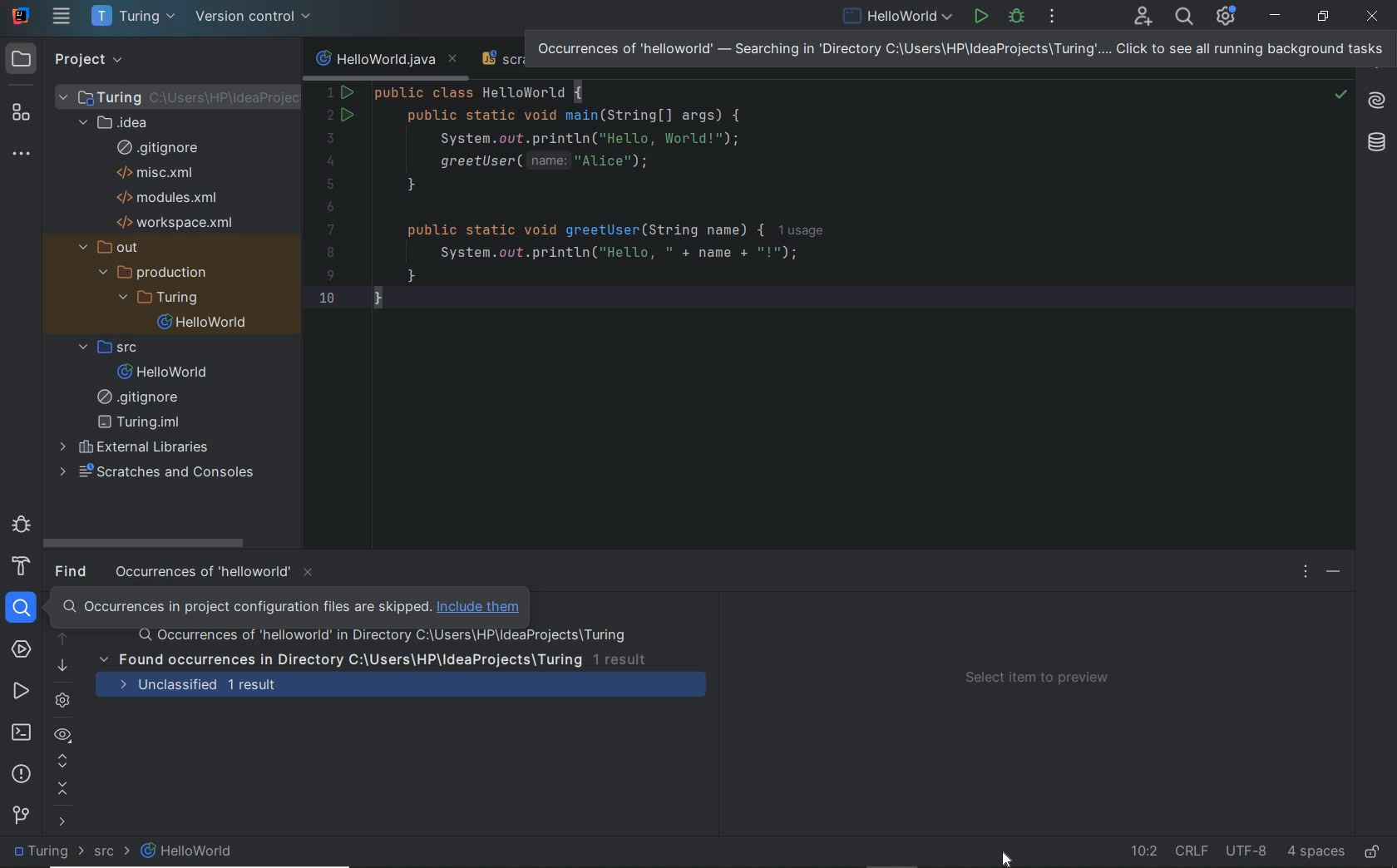 The height and width of the screenshot is (868, 1397). What do you see at coordinates (24, 570) in the screenshot?
I see `build` at bounding box center [24, 570].